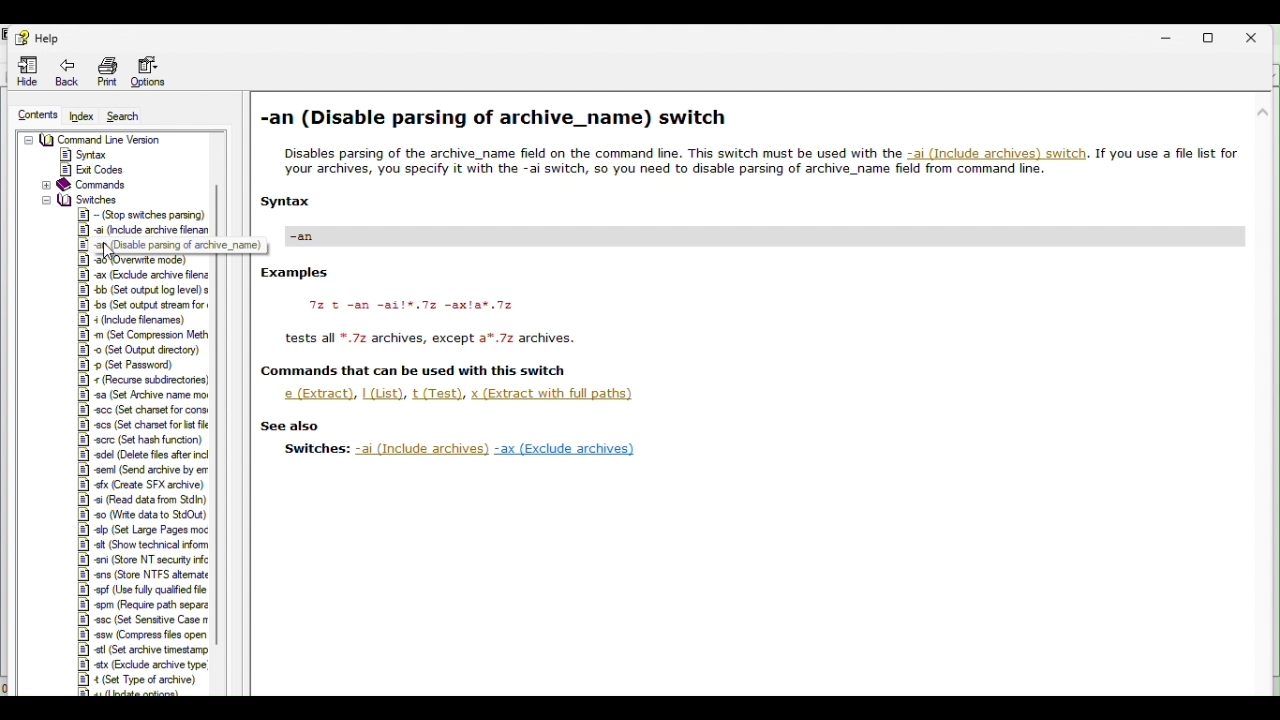 The width and height of the screenshot is (1280, 720). I want to click on |&] esc (Set Sensitive Case n, so click(141, 620).